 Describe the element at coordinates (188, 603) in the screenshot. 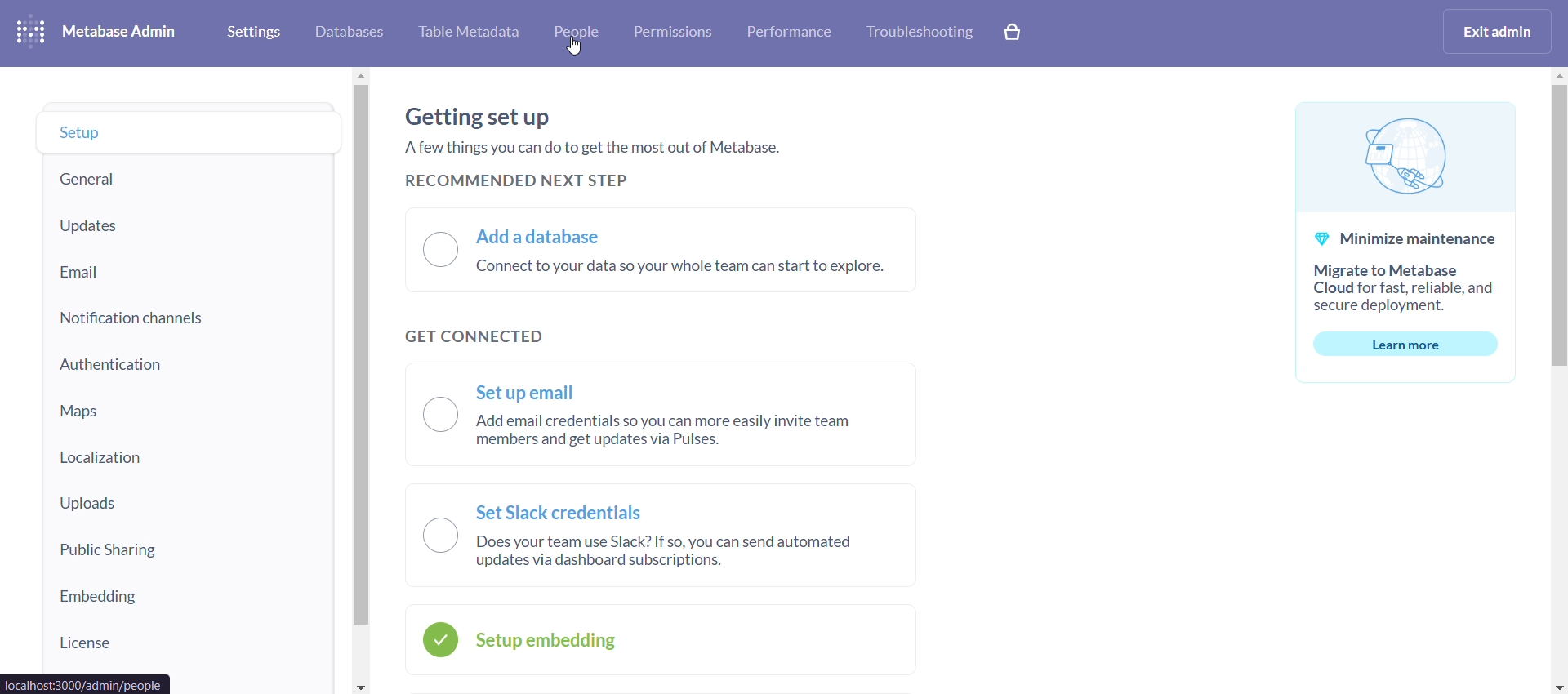

I see `embedding` at that location.